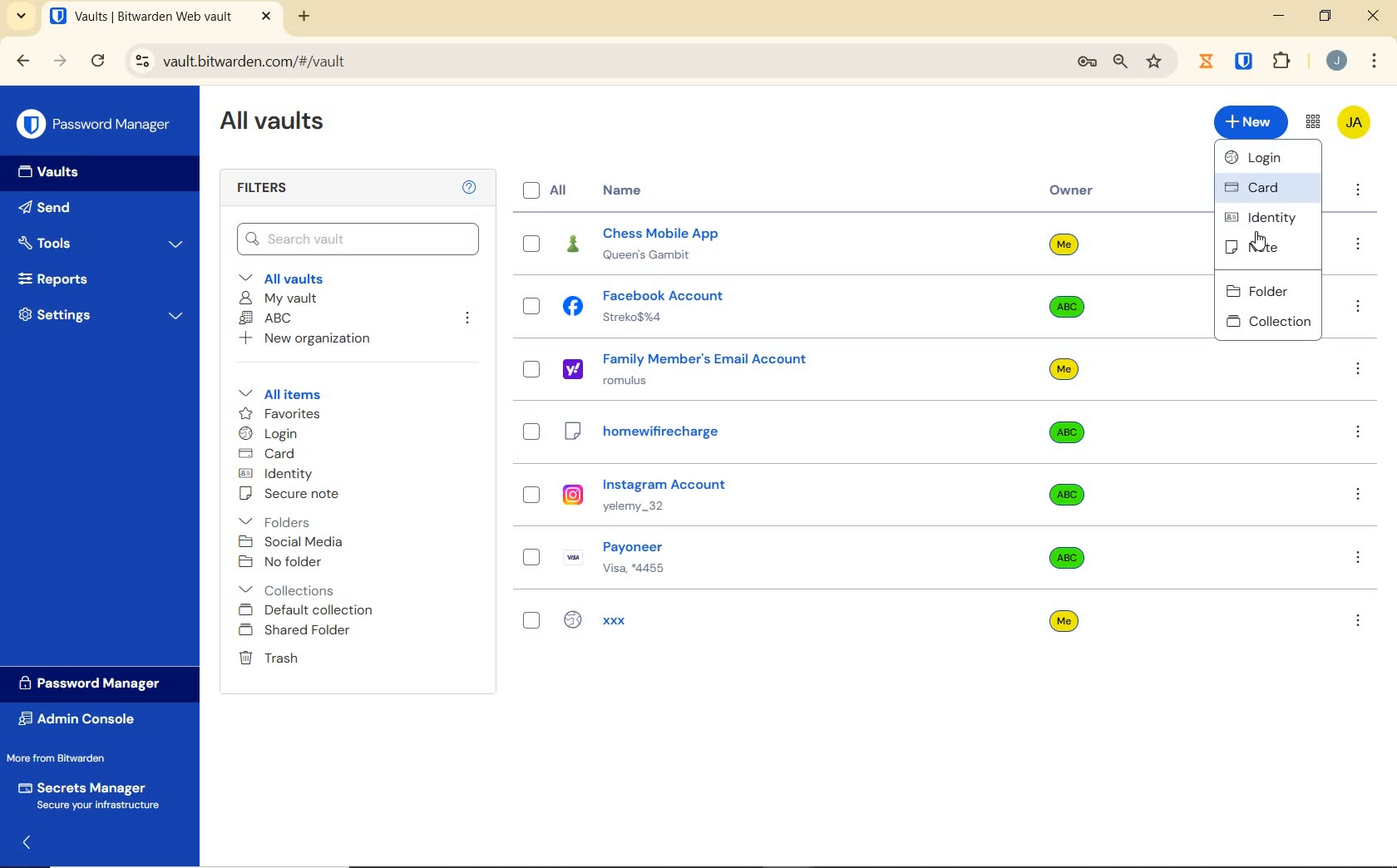 The image size is (1397, 868). What do you see at coordinates (1360, 495) in the screenshot?
I see `more options` at bounding box center [1360, 495].